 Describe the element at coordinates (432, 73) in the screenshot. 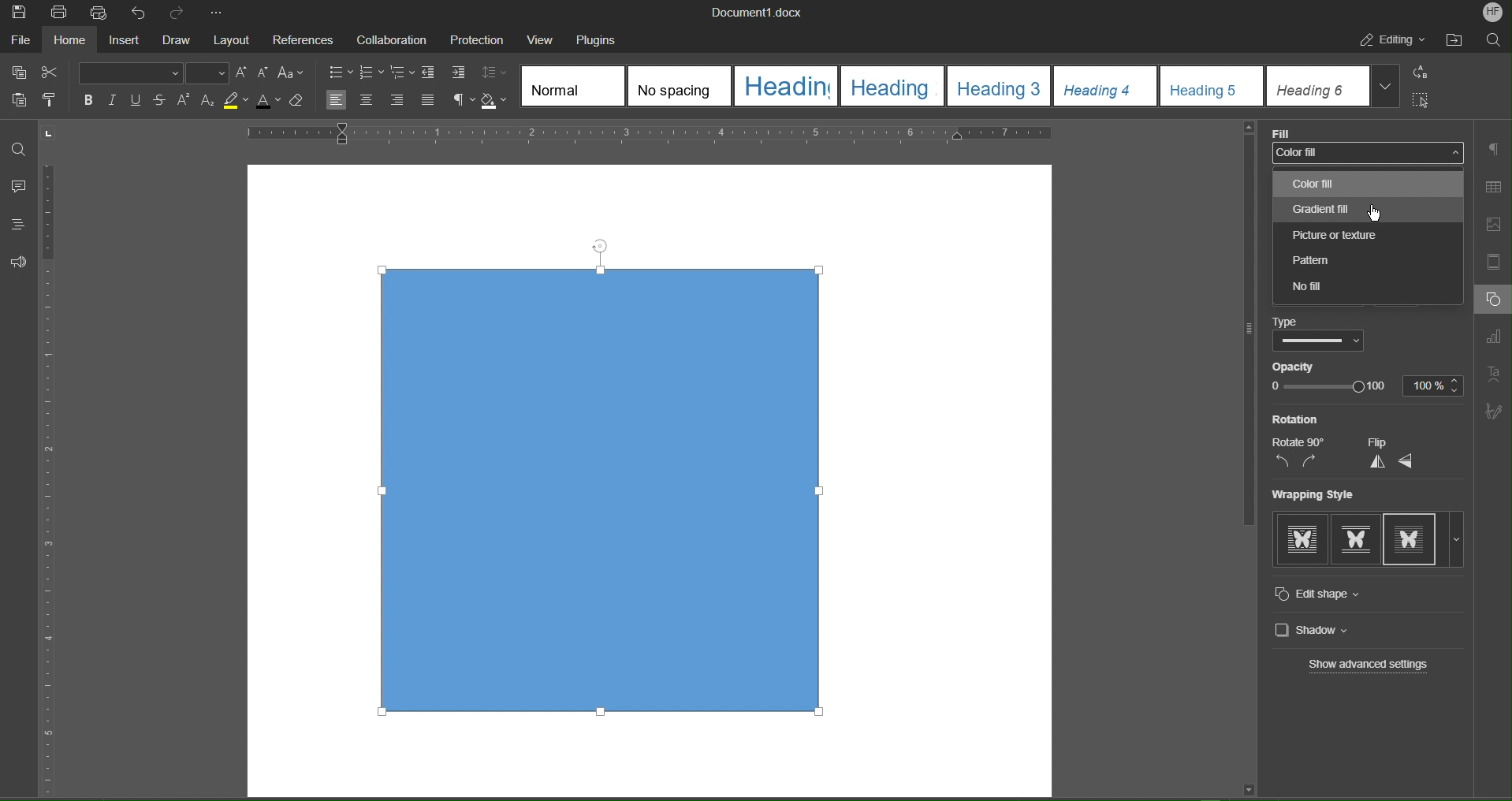

I see `Decrease Indent` at that location.